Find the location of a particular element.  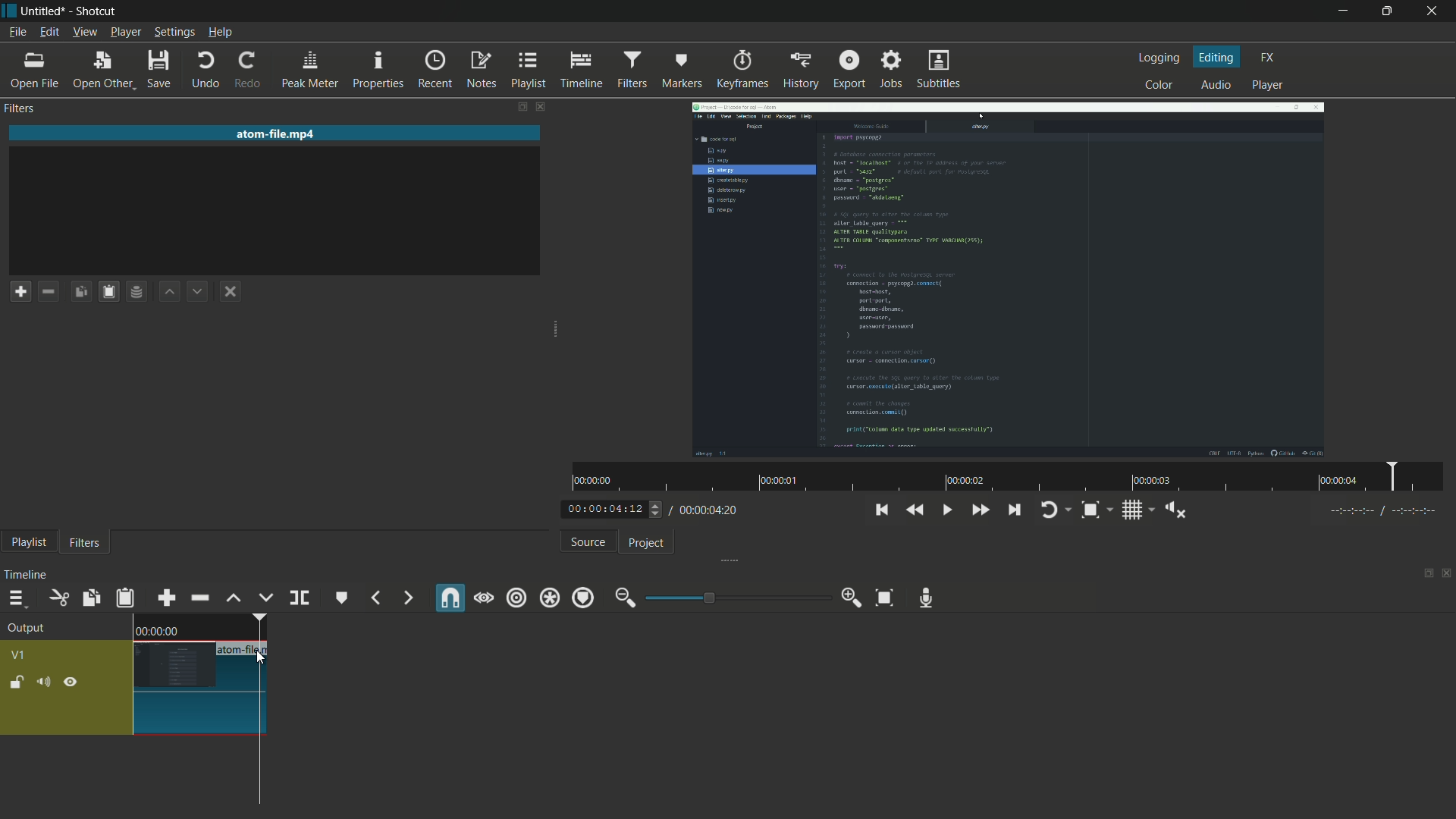

minimize is located at coordinates (1338, 11).